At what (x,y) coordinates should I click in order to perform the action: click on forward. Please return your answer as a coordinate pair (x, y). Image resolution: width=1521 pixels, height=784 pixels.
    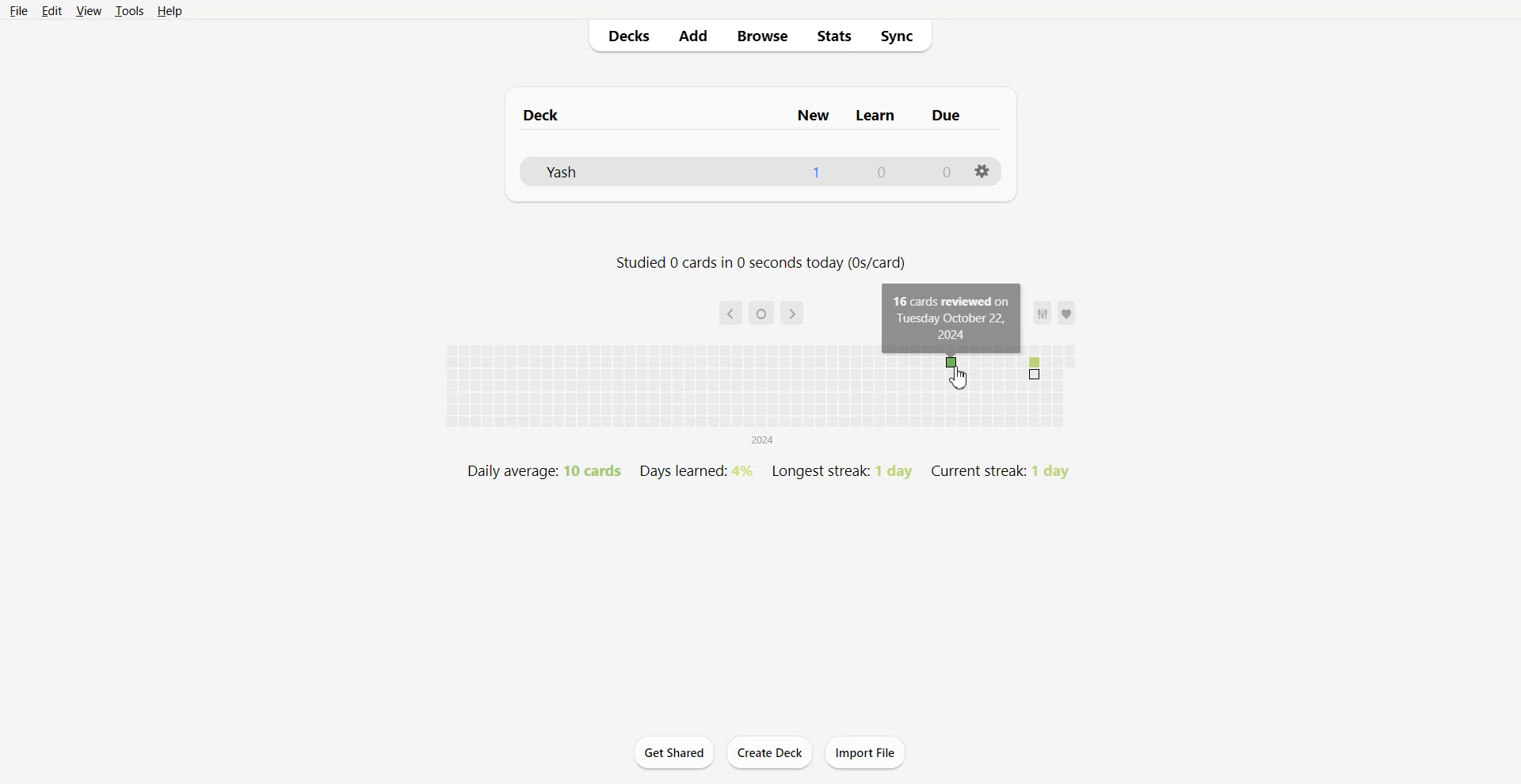
    Looking at the image, I should click on (792, 313).